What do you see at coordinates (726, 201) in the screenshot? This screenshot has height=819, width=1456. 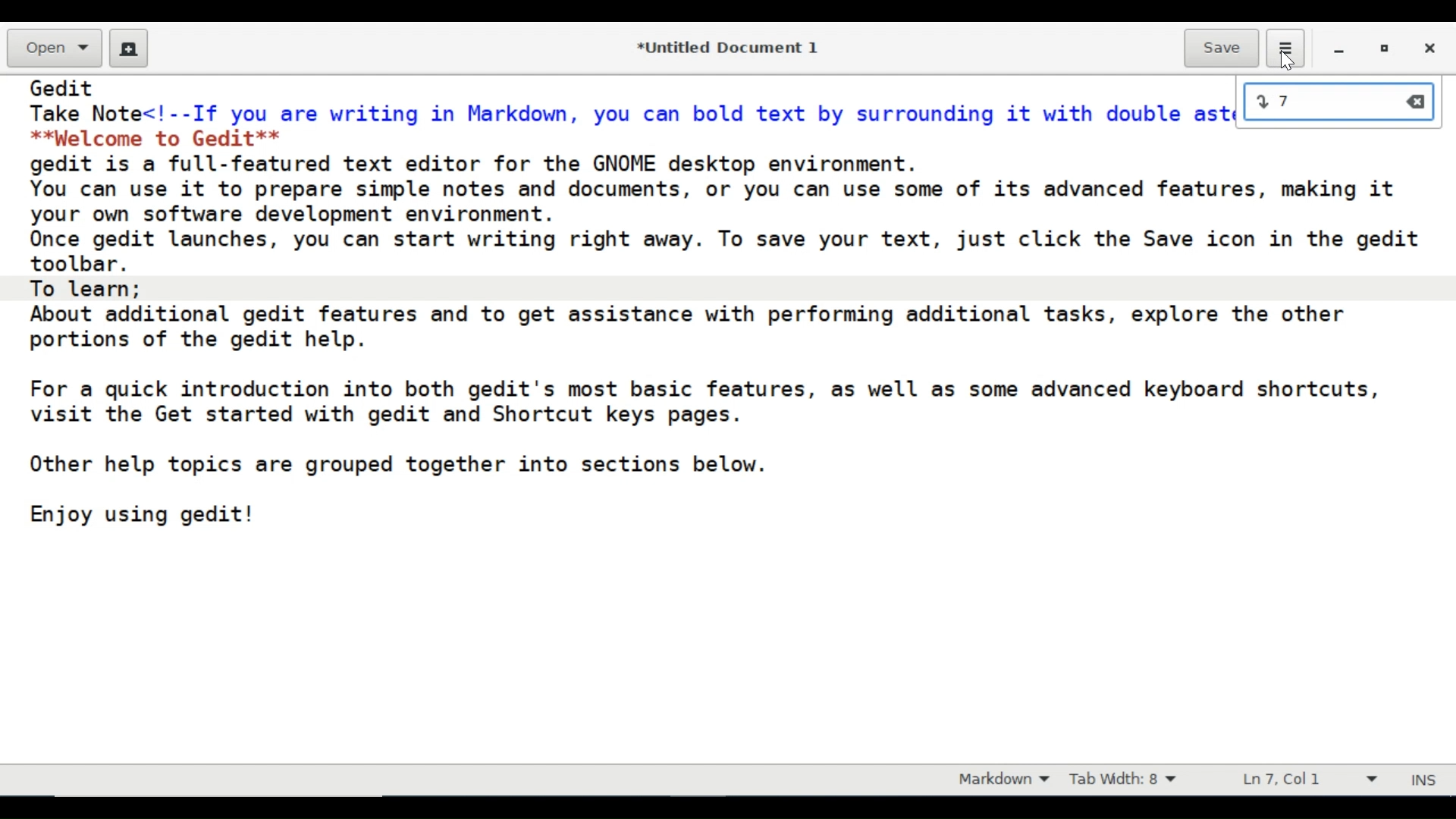 I see `You can use it to prepare simple notes and documents, or you can use some of its advanced features, making it
your own software development environment.` at bounding box center [726, 201].